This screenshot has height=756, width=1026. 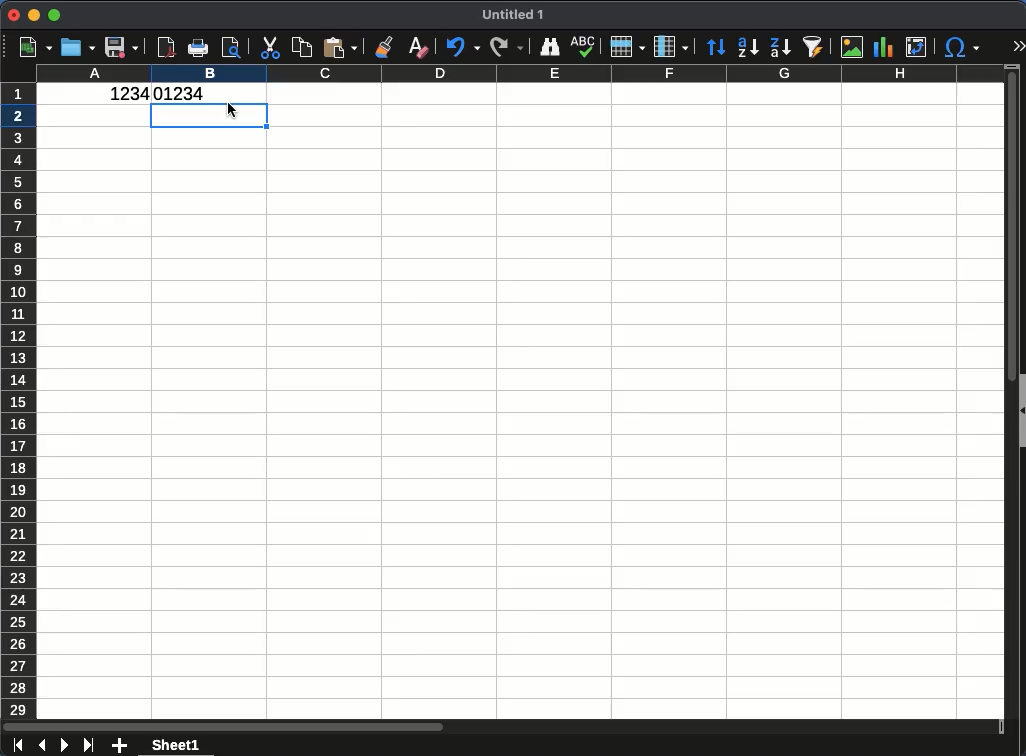 I want to click on pivot table, so click(x=918, y=47).